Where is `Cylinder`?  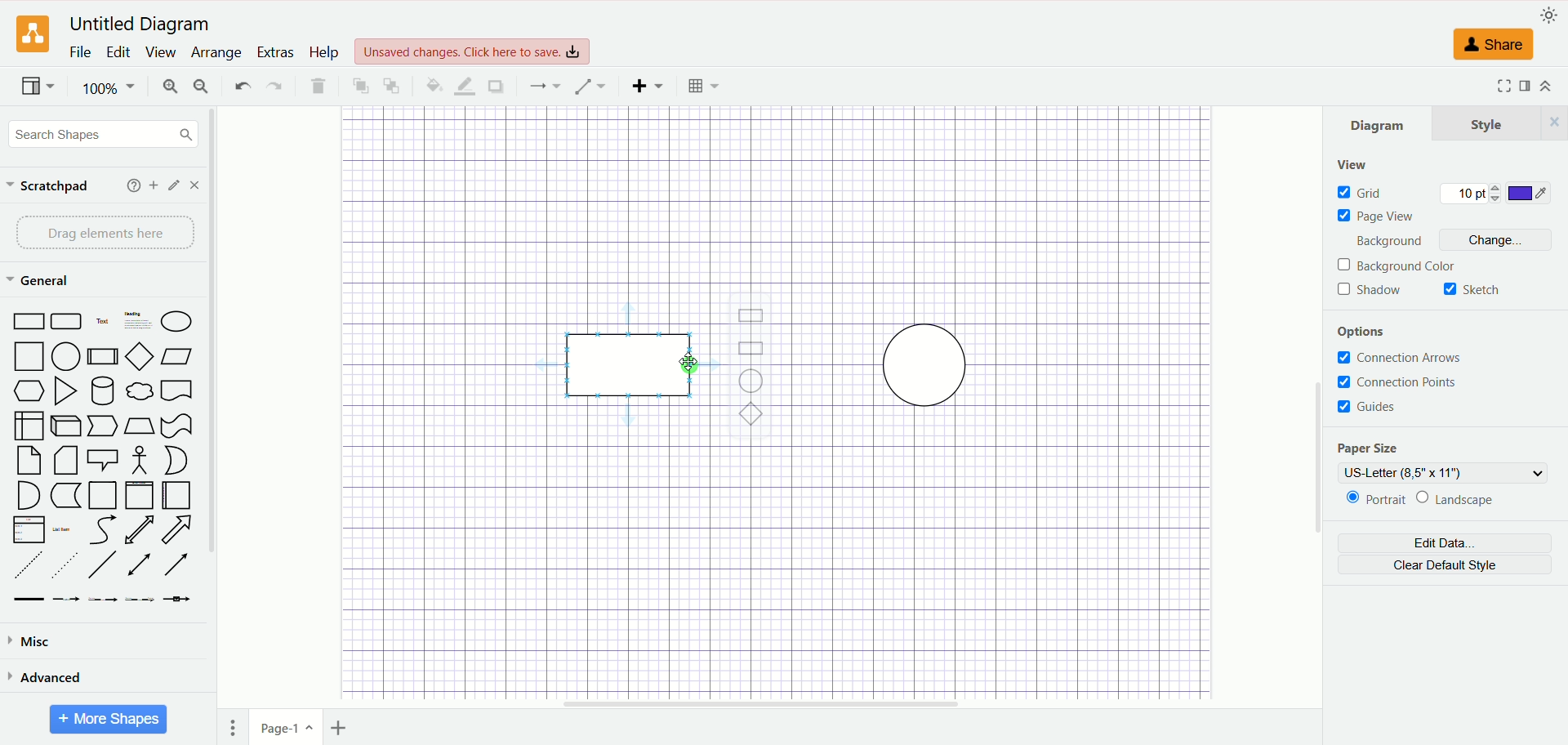 Cylinder is located at coordinates (104, 391).